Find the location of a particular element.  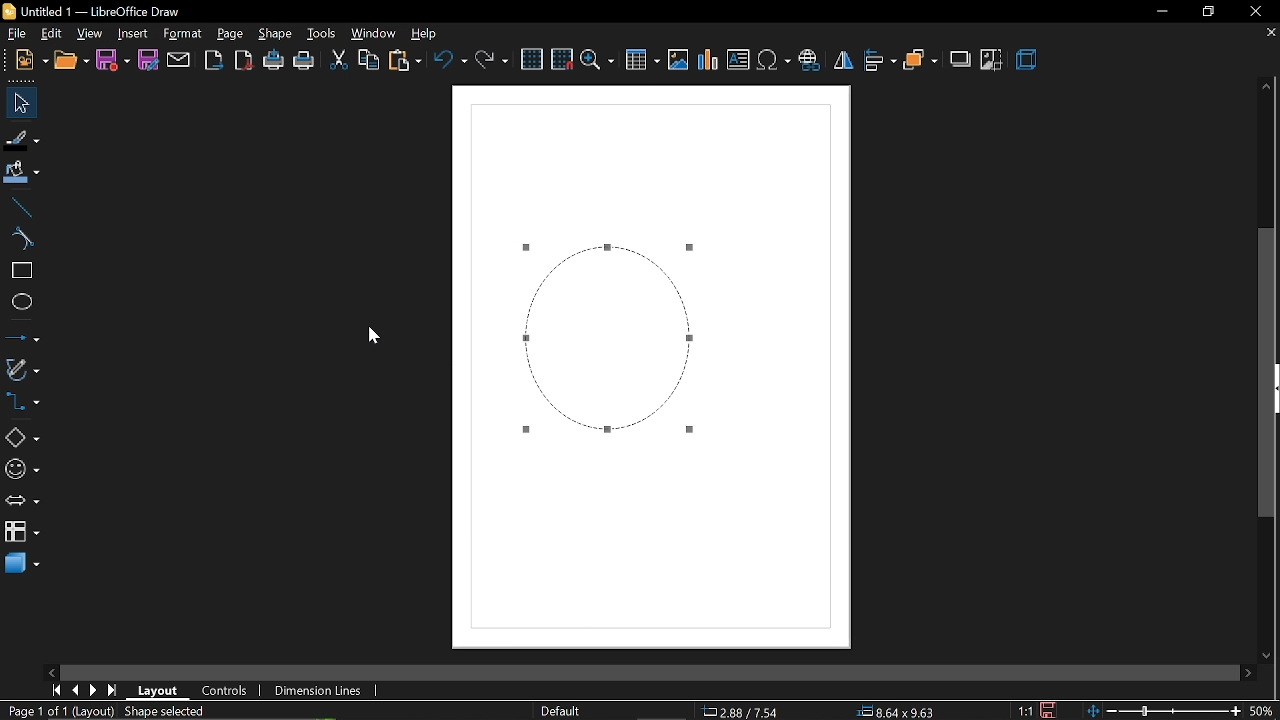

minimize is located at coordinates (1162, 12).